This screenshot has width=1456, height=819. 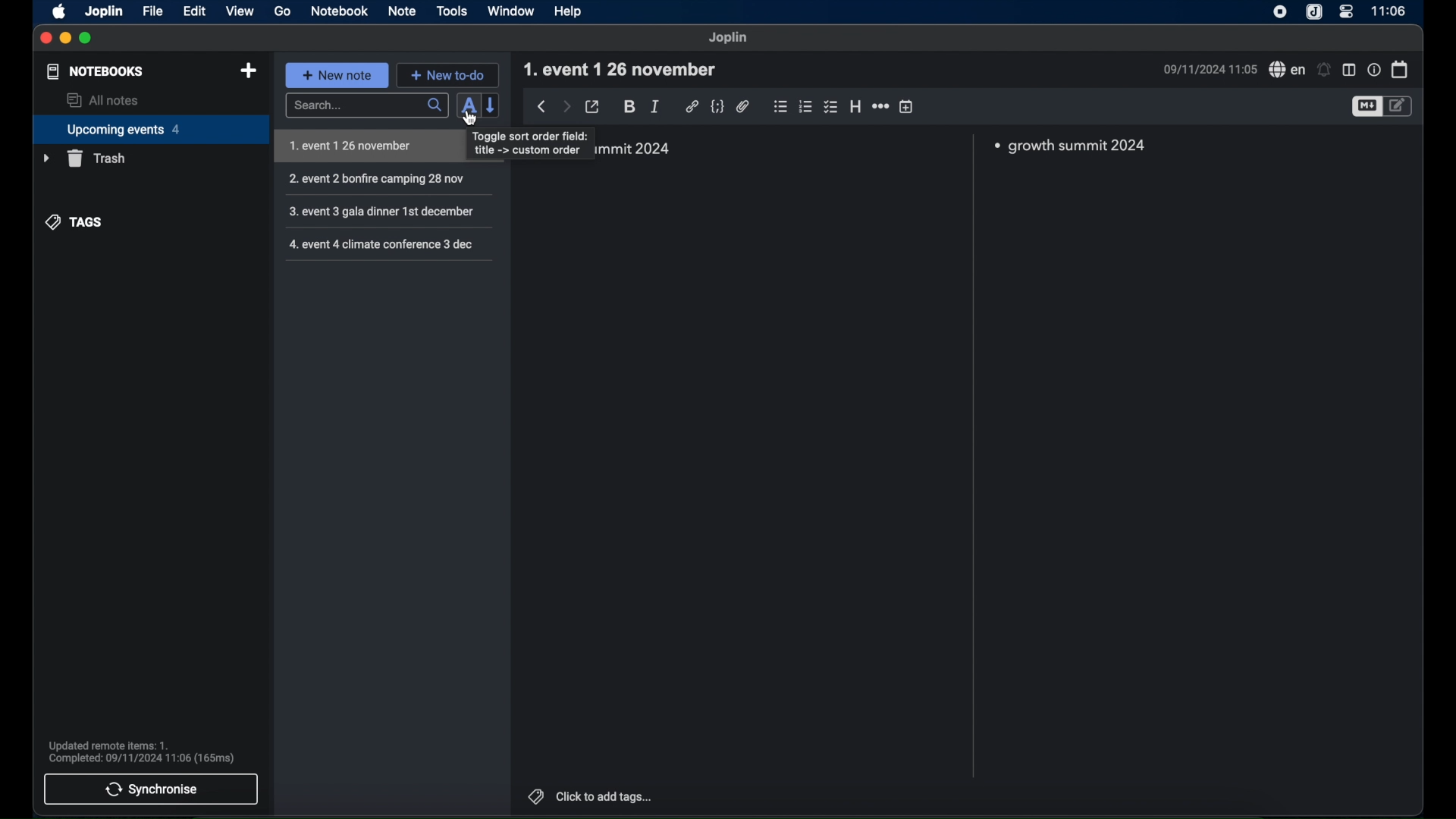 I want to click on numbered list, so click(x=806, y=107).